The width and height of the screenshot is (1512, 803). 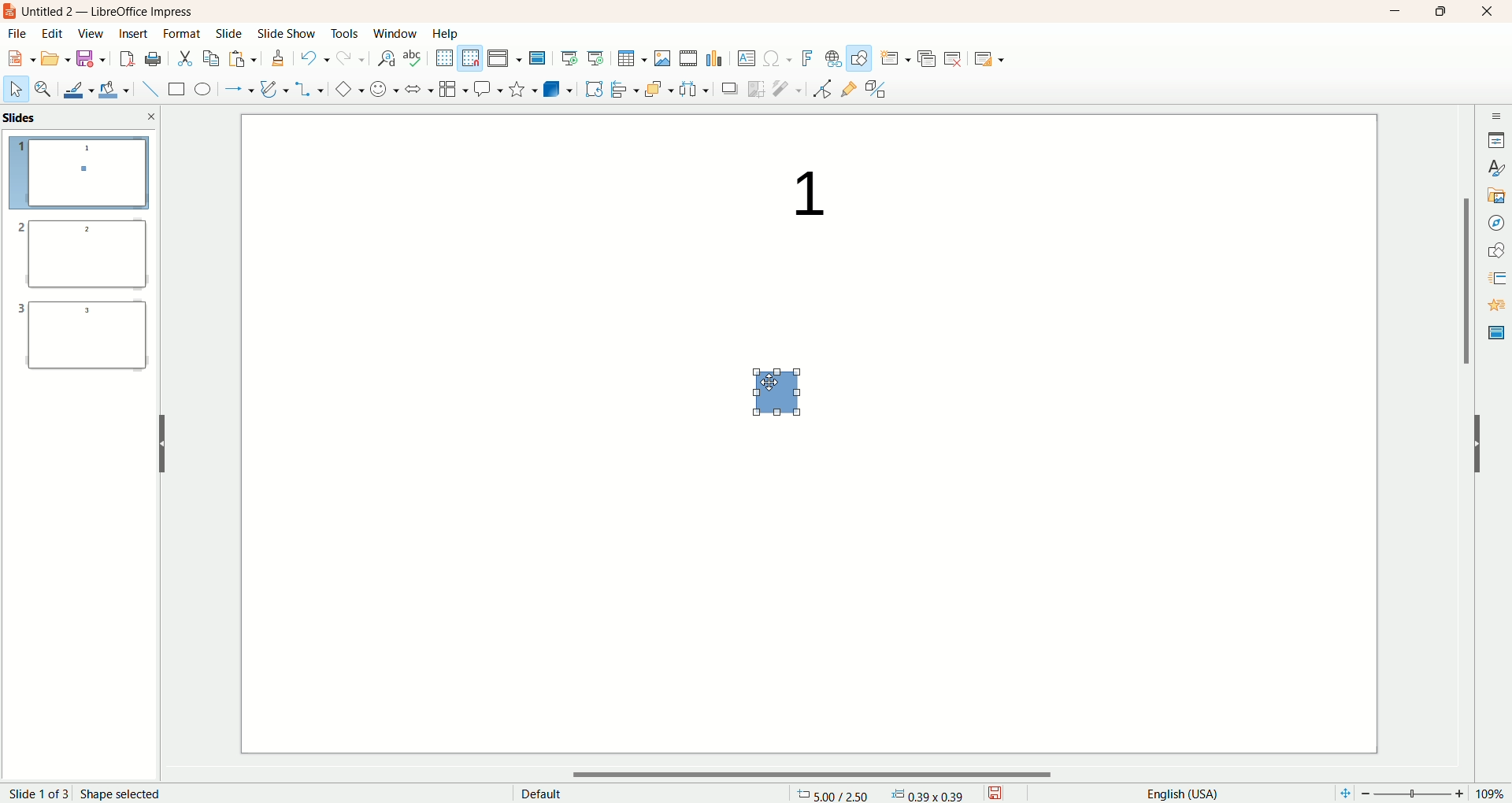 I want to click on slide transition, so click(x=1495, y=276).